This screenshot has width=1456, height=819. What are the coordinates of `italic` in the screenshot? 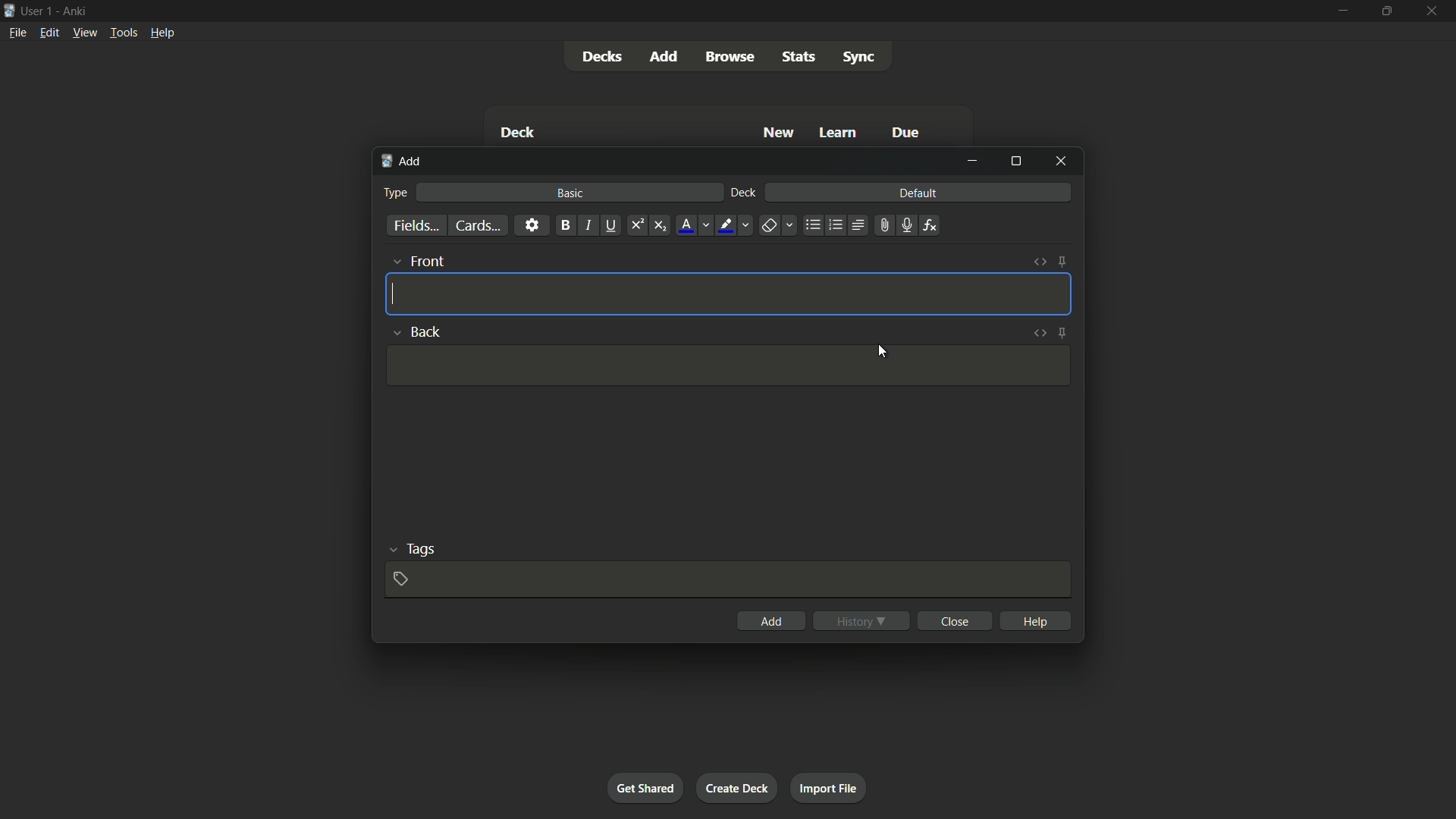 It's located at (588, 225).